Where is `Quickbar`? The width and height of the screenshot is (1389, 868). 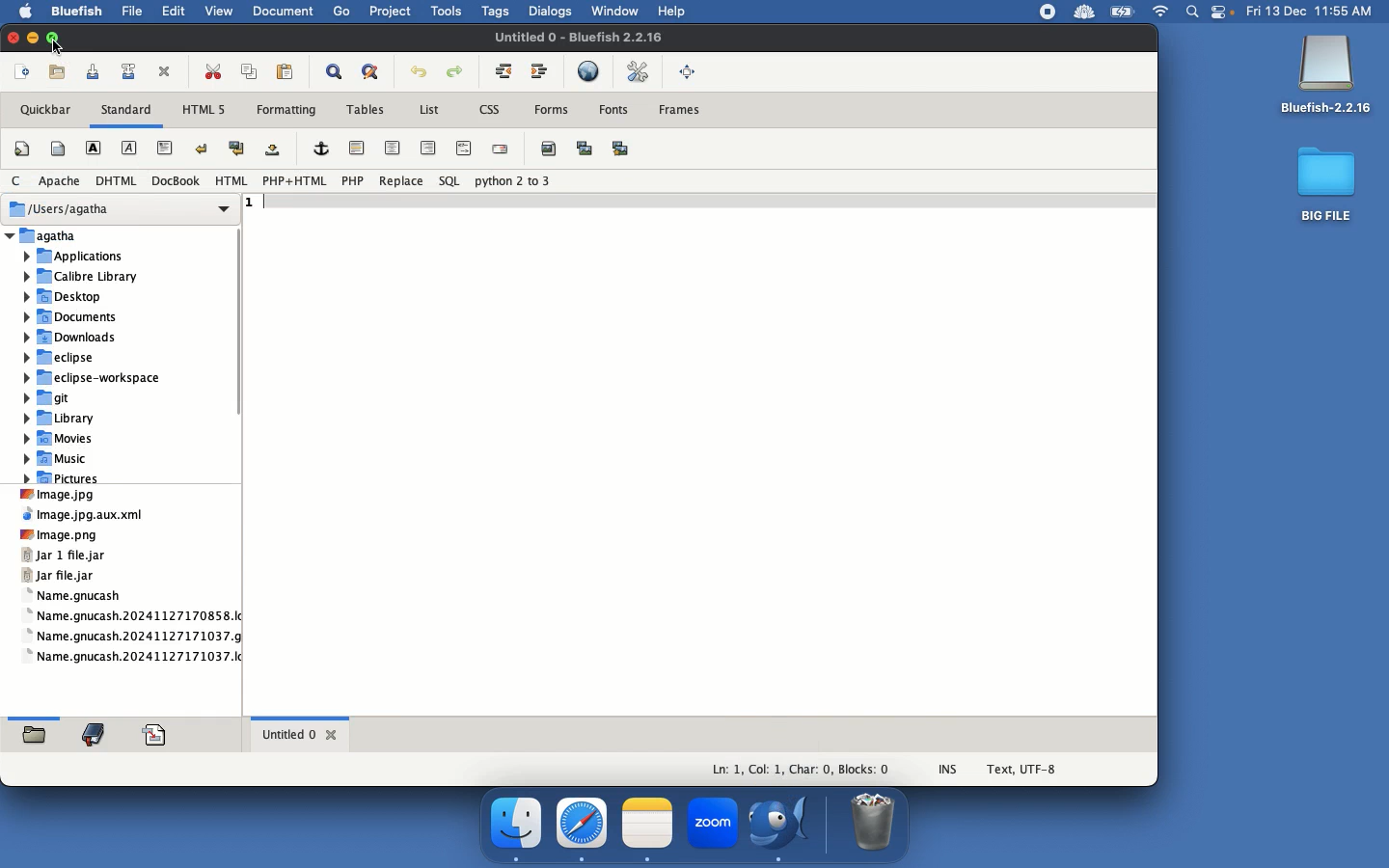
Quickbar is located at coordinates (41, 107).